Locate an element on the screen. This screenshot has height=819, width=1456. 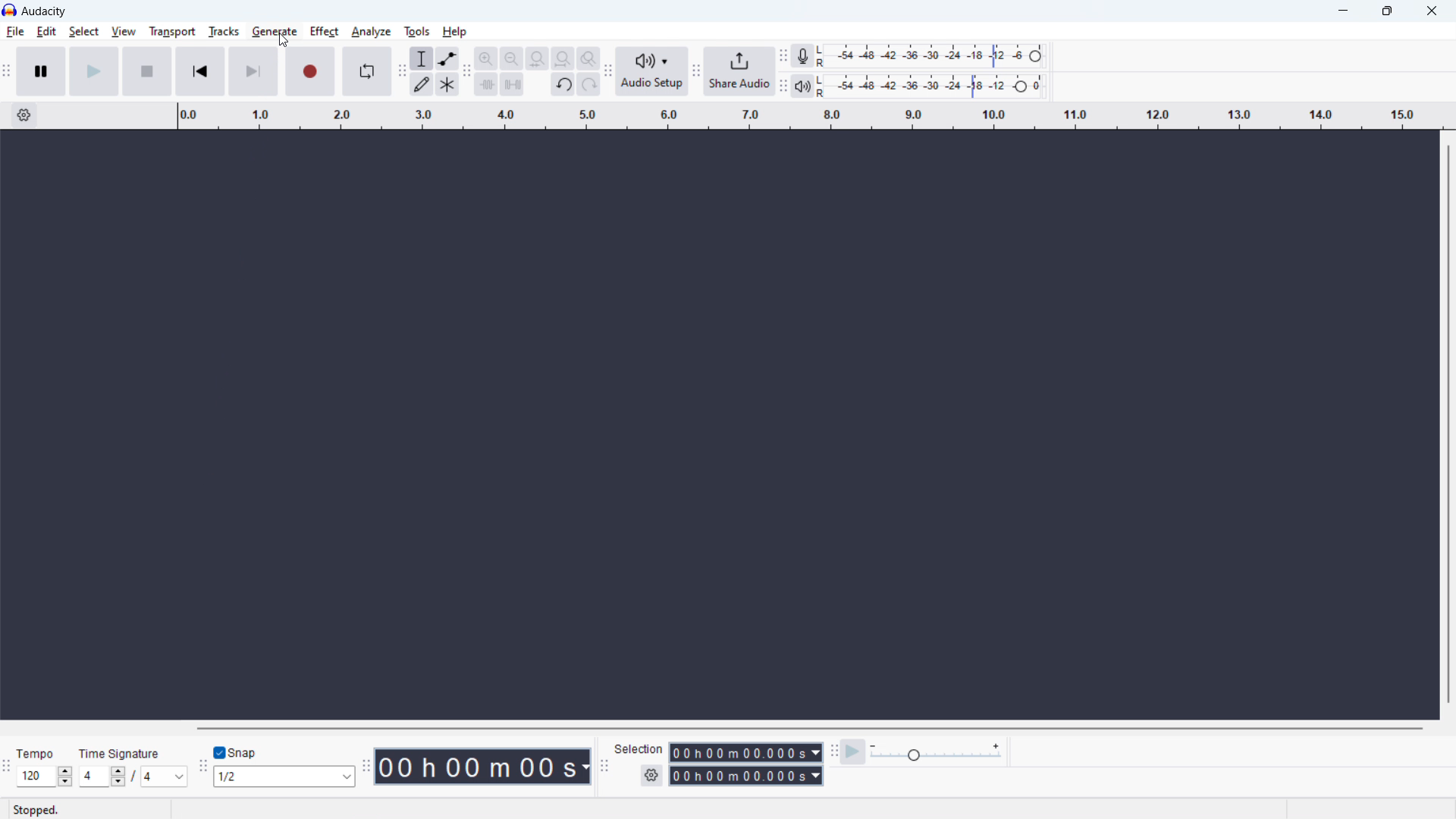
maximize is located at coordinates (1386, 11).